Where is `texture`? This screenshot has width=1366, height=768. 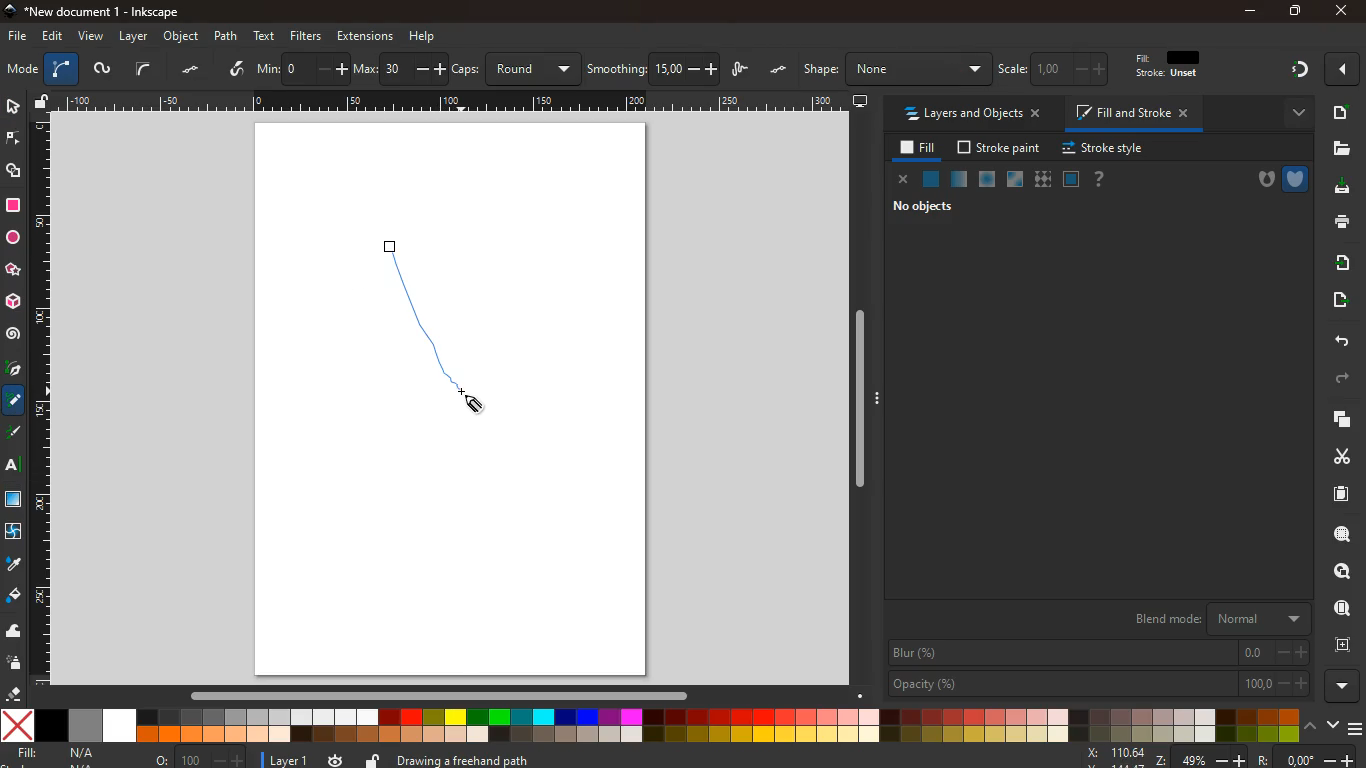
texture is located at coordinates (1043, 180).